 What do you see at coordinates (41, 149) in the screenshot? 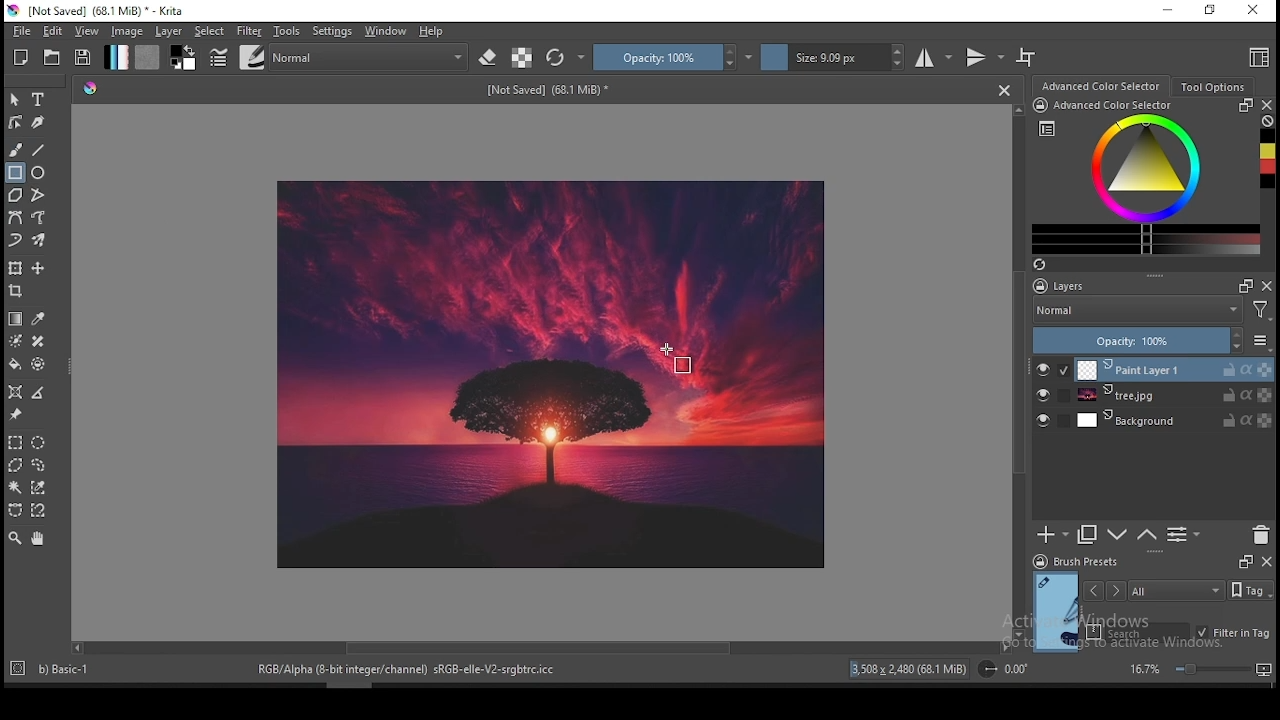
I see `line tool` at bounding box center [41, 149].